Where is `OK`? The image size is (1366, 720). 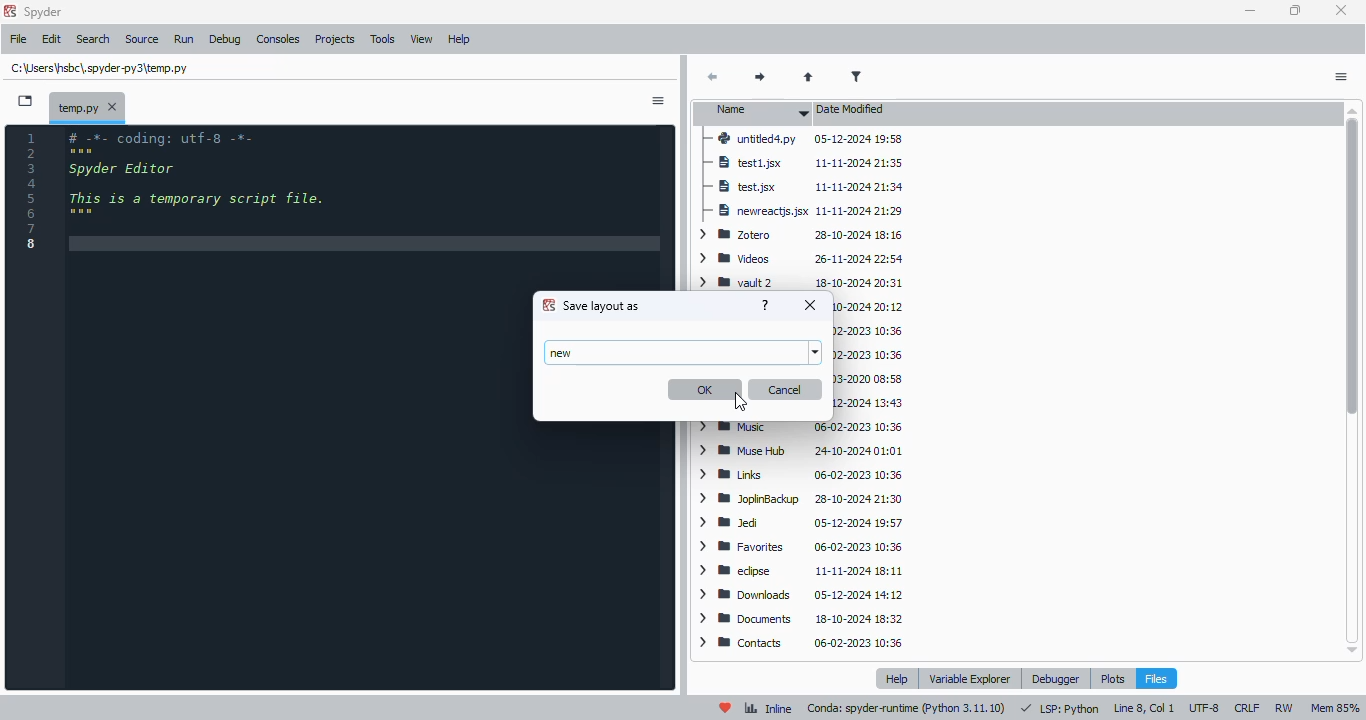 OK is located at coordinates (705, 390).